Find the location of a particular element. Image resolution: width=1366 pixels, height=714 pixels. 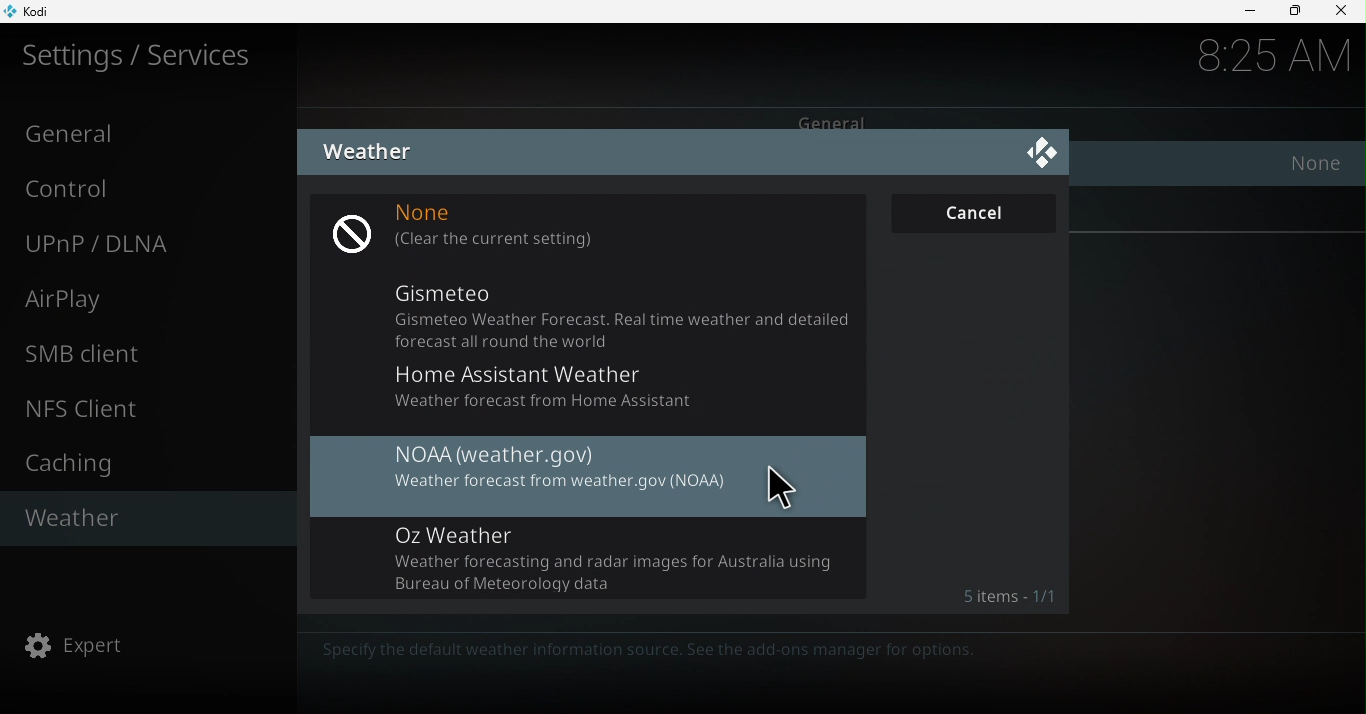

Expert is located at coordinates (145, 642).